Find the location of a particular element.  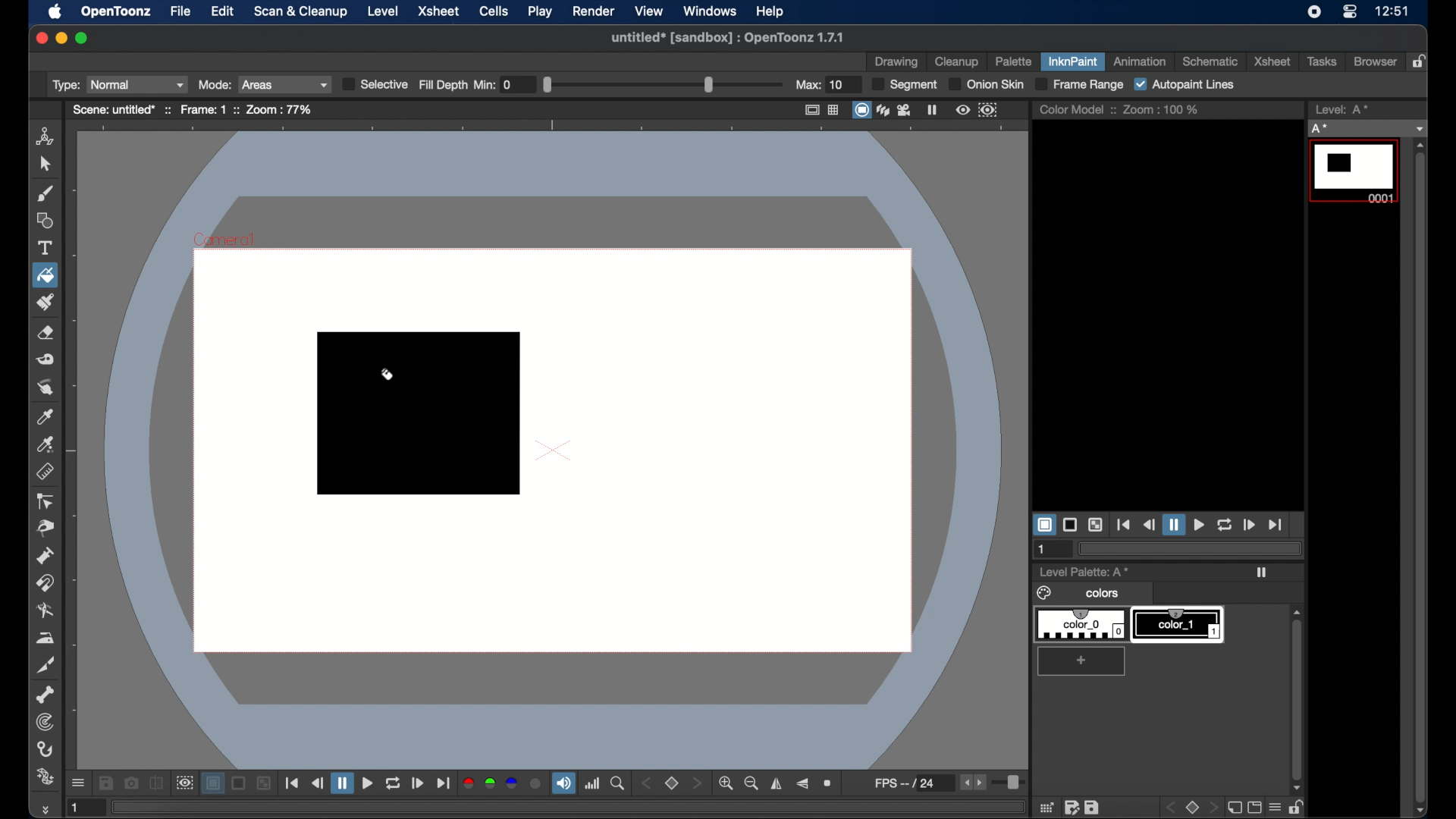

flip vertically is located at coordinates (802, 784).